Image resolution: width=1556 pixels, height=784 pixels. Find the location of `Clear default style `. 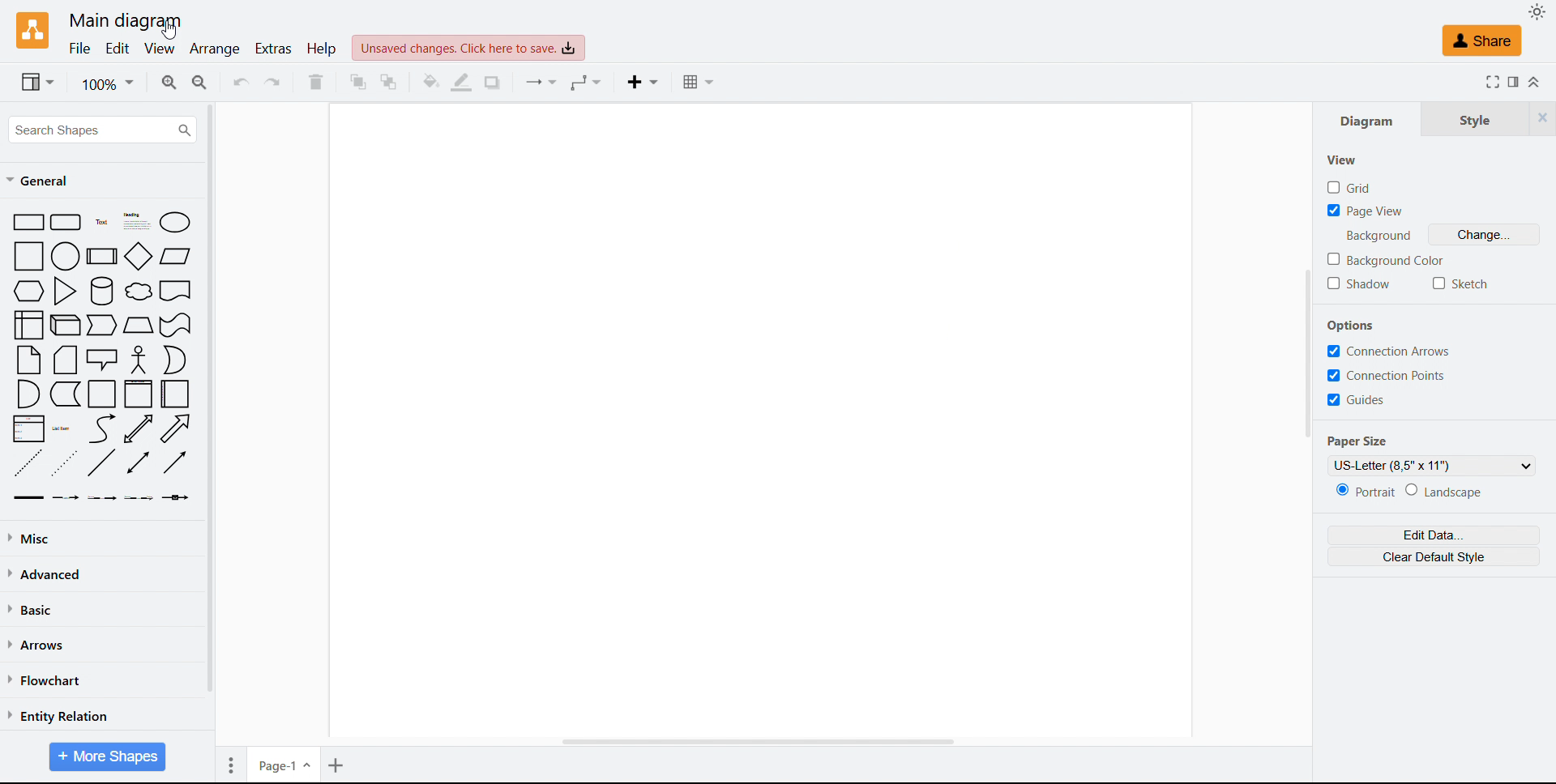

Clear default style  is located at coordinates (1433, 556).